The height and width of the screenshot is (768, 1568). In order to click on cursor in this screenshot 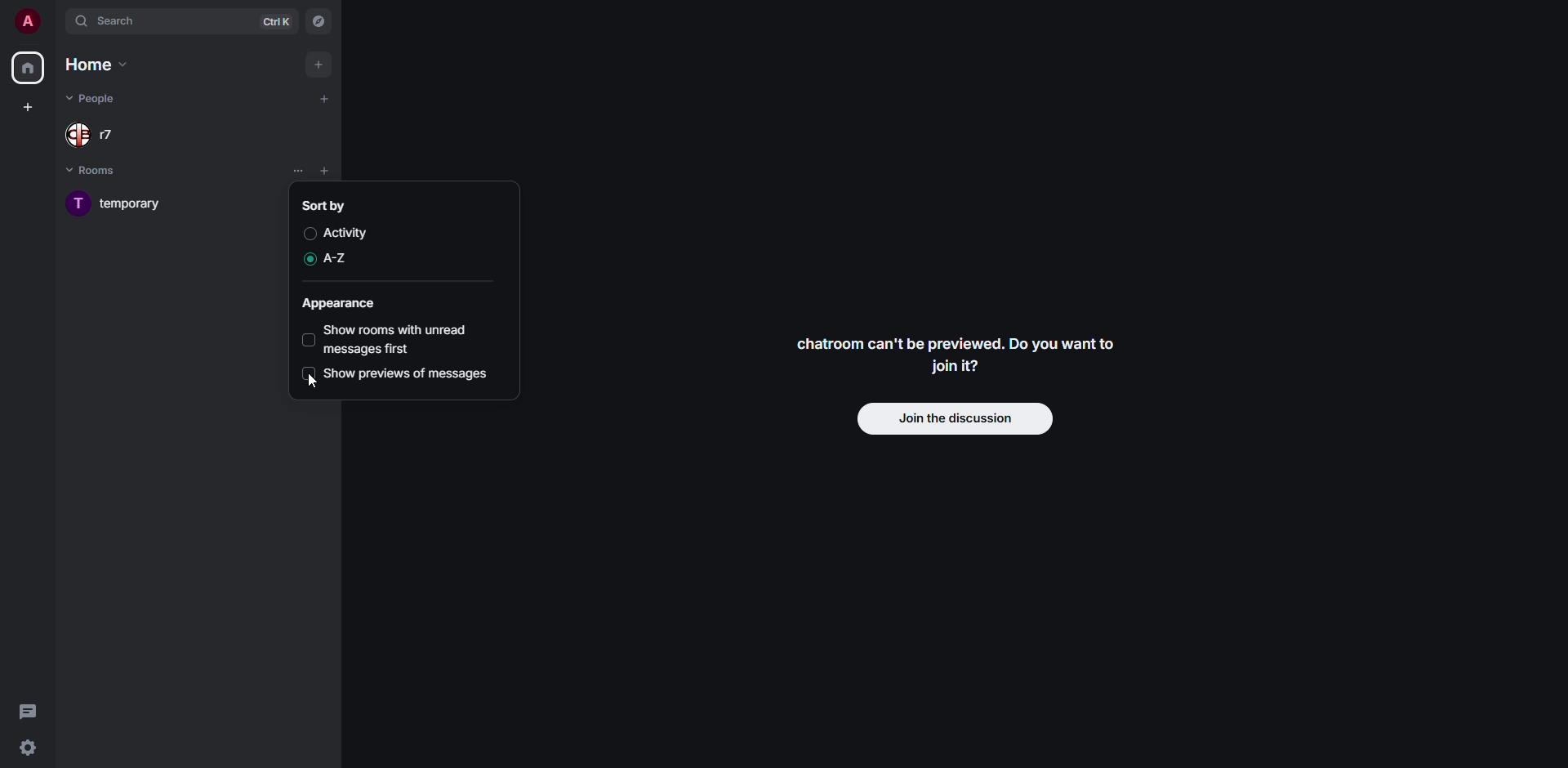, I will do `click(317, 383)`.